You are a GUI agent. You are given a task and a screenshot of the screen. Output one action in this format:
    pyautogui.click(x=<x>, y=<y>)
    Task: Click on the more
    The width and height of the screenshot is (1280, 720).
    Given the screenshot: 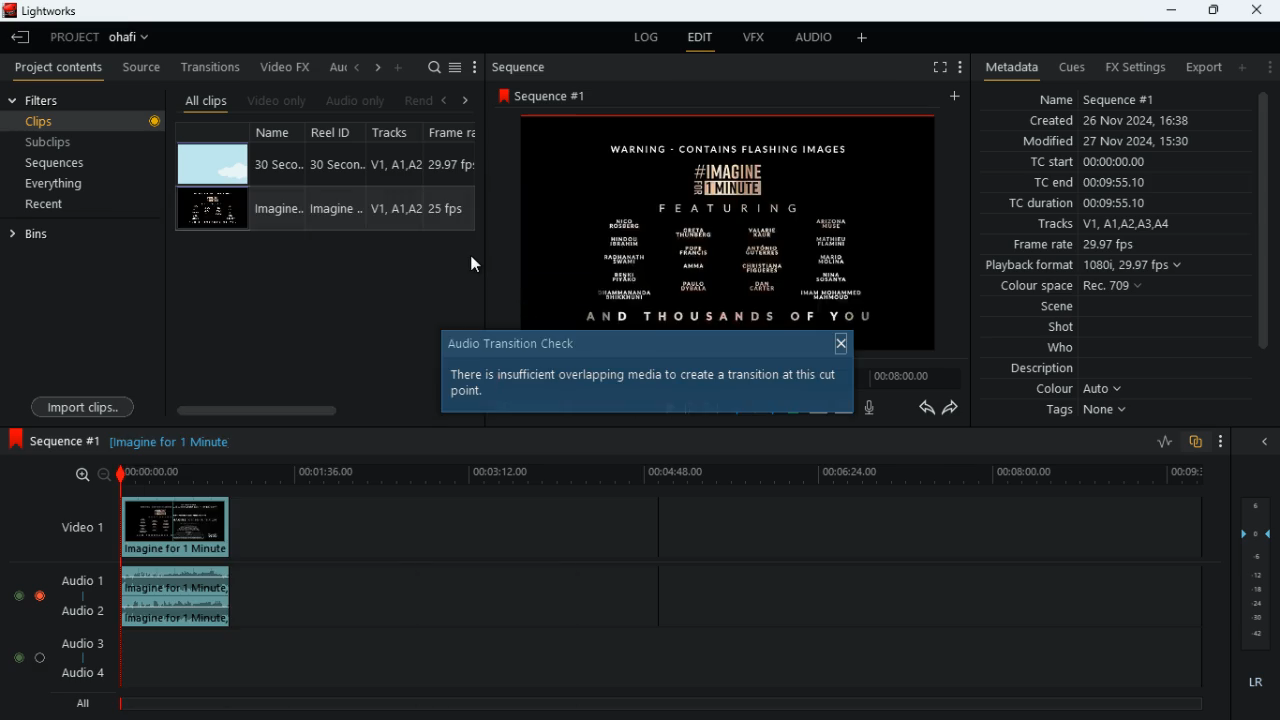 What is the action you would take?
    pyautogui.click(x=958, y=66)
    